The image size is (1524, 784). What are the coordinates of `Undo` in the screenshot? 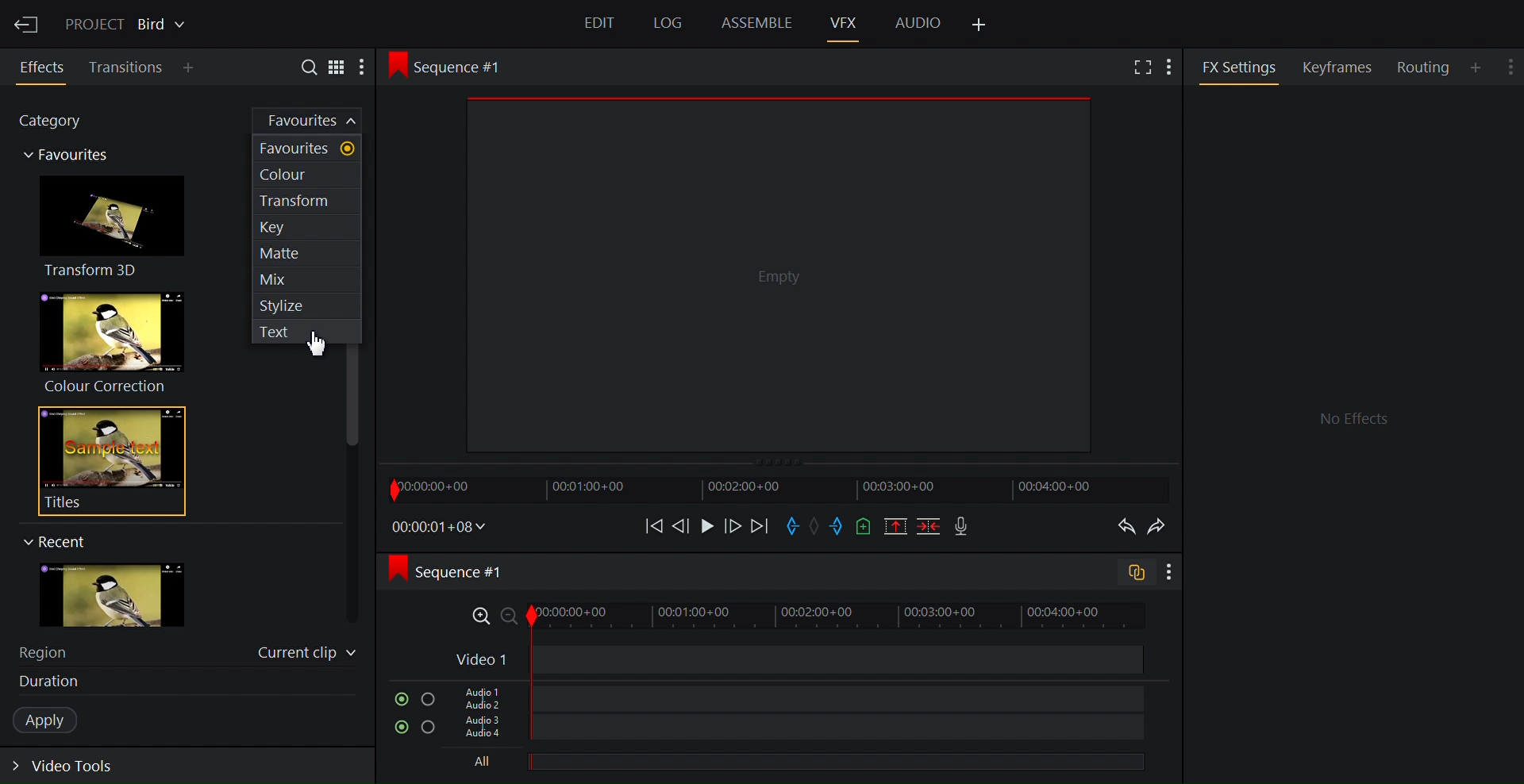 It's located at (1122, 527).